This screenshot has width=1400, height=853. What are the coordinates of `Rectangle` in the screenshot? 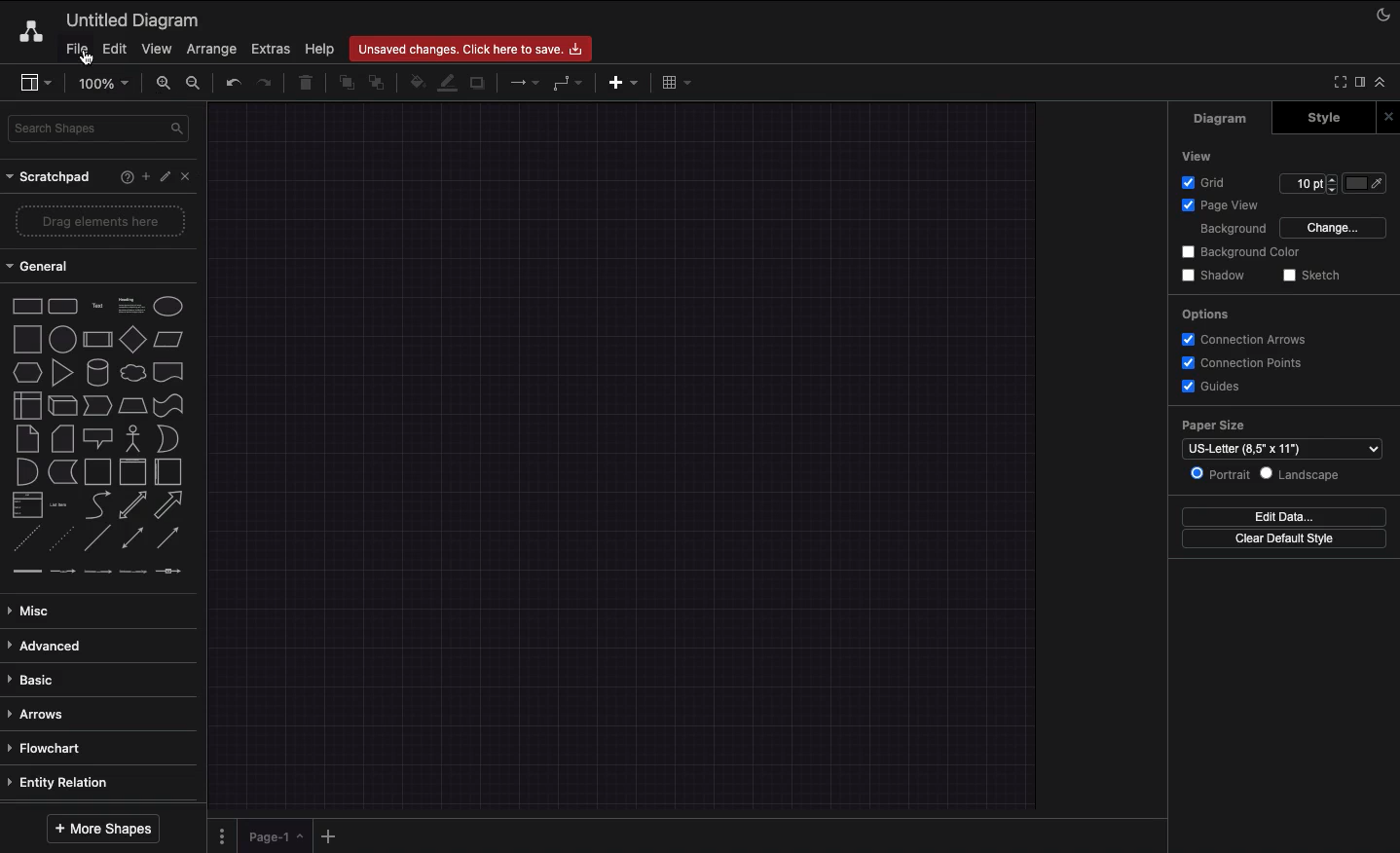 It's located at (25, 305).